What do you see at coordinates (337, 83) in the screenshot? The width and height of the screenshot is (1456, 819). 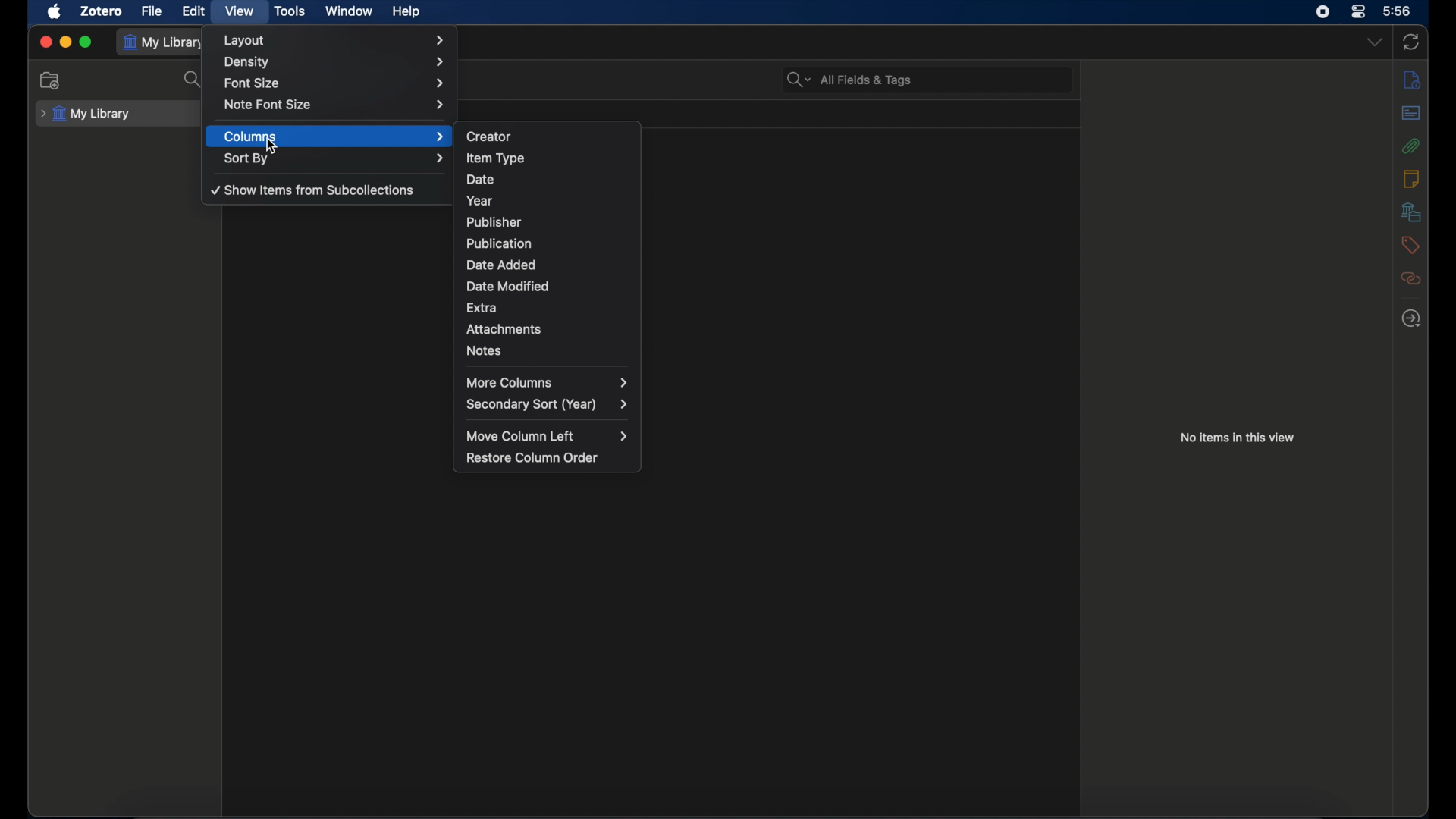 I see `font size` at bounding box center [337, 83].